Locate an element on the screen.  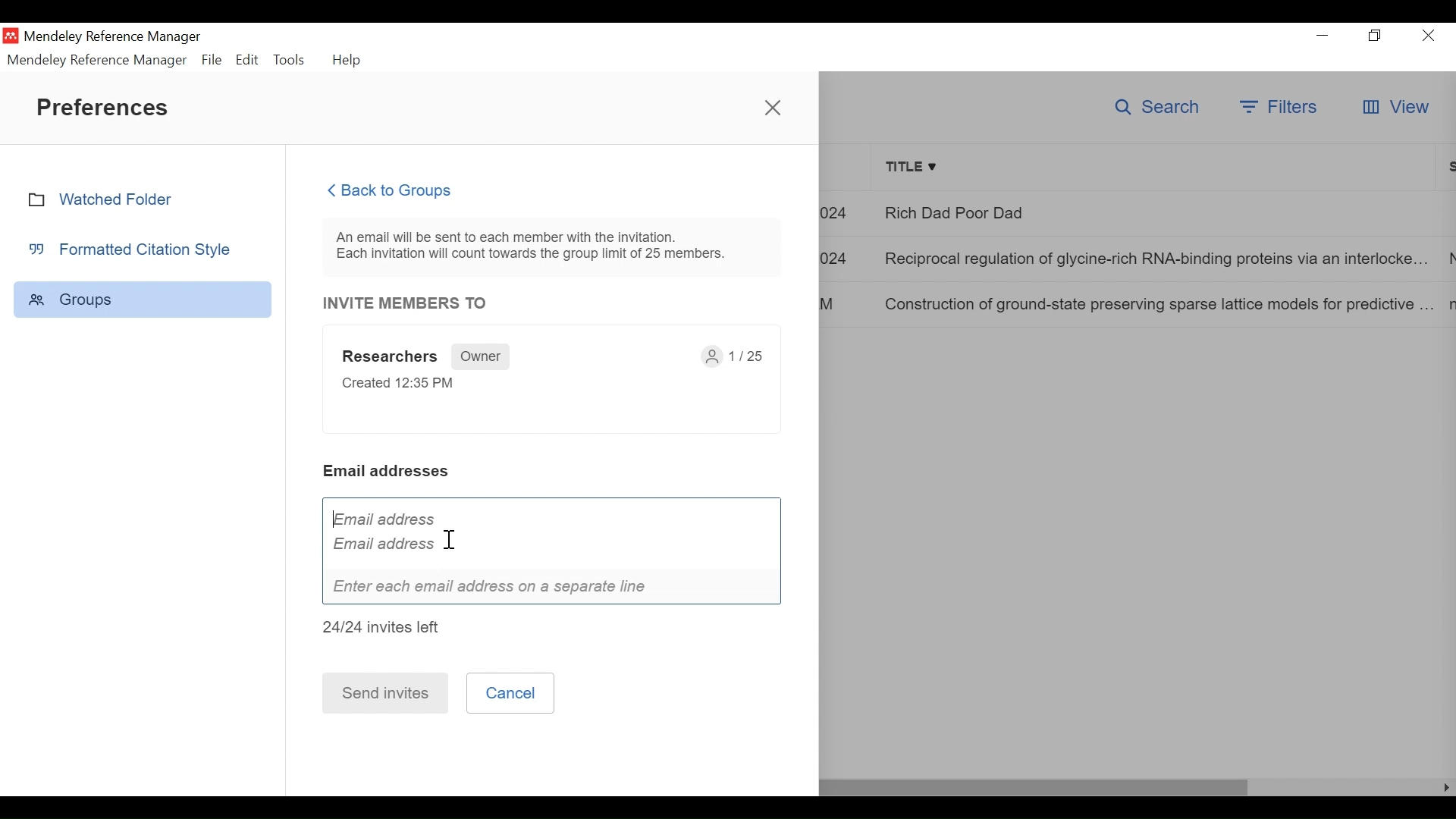
Edit is located at coordinates (246, 60).